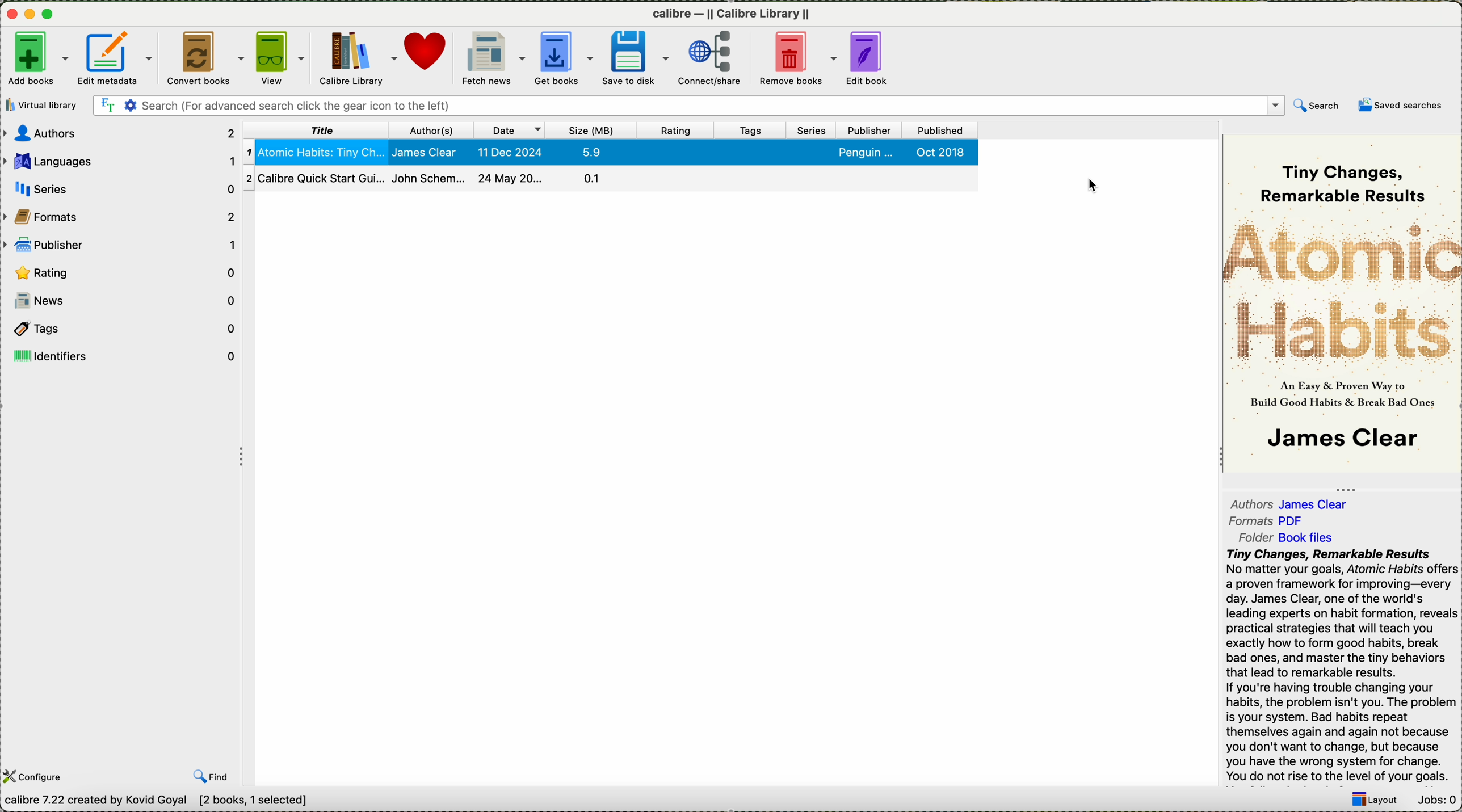 The width and height of the screenshot is (1462, 812). I want to click on news, so click(123, 301).